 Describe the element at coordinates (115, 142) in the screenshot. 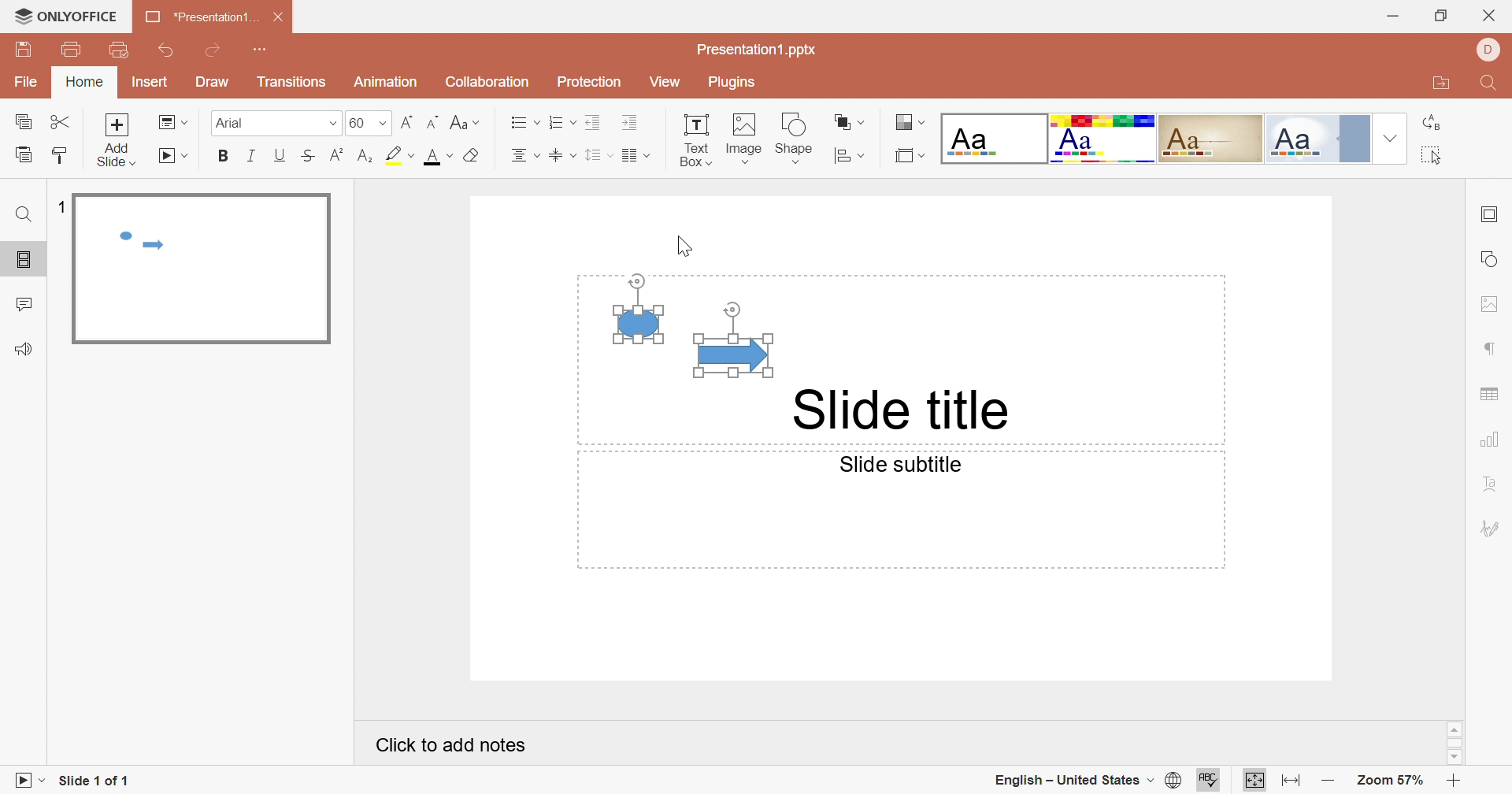

I see `Add slide` at that location.